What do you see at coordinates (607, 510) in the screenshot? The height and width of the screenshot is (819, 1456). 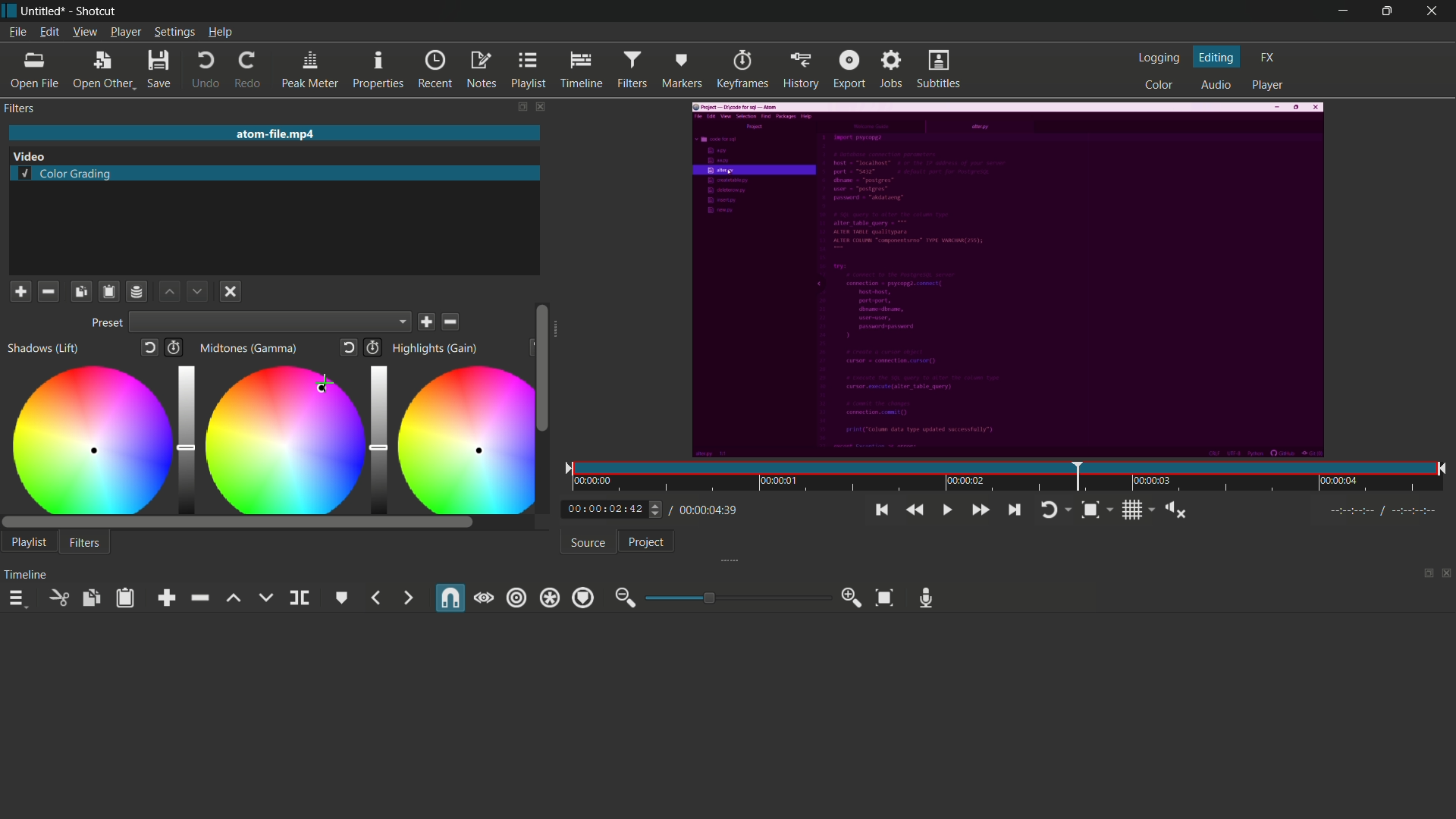 I see `current itme` at bounding box center [607, 510].